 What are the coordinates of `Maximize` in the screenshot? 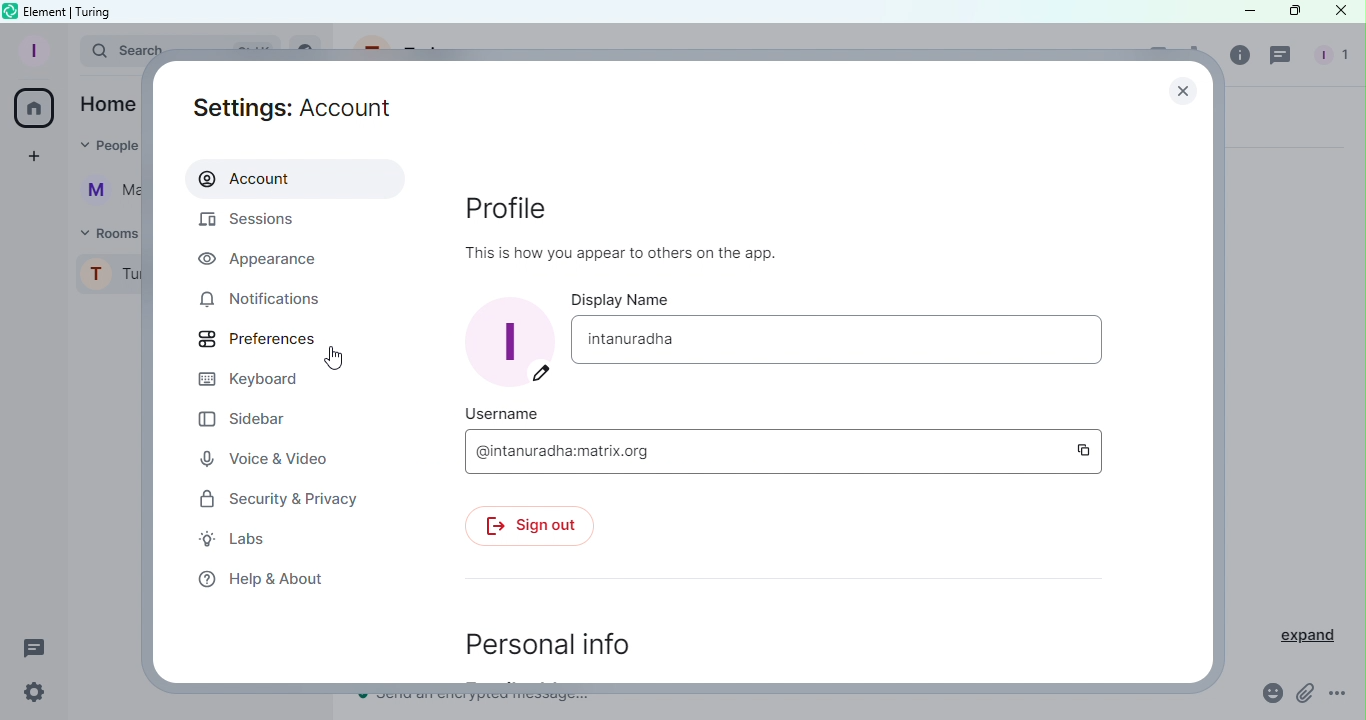 It's located at (1290, 12).